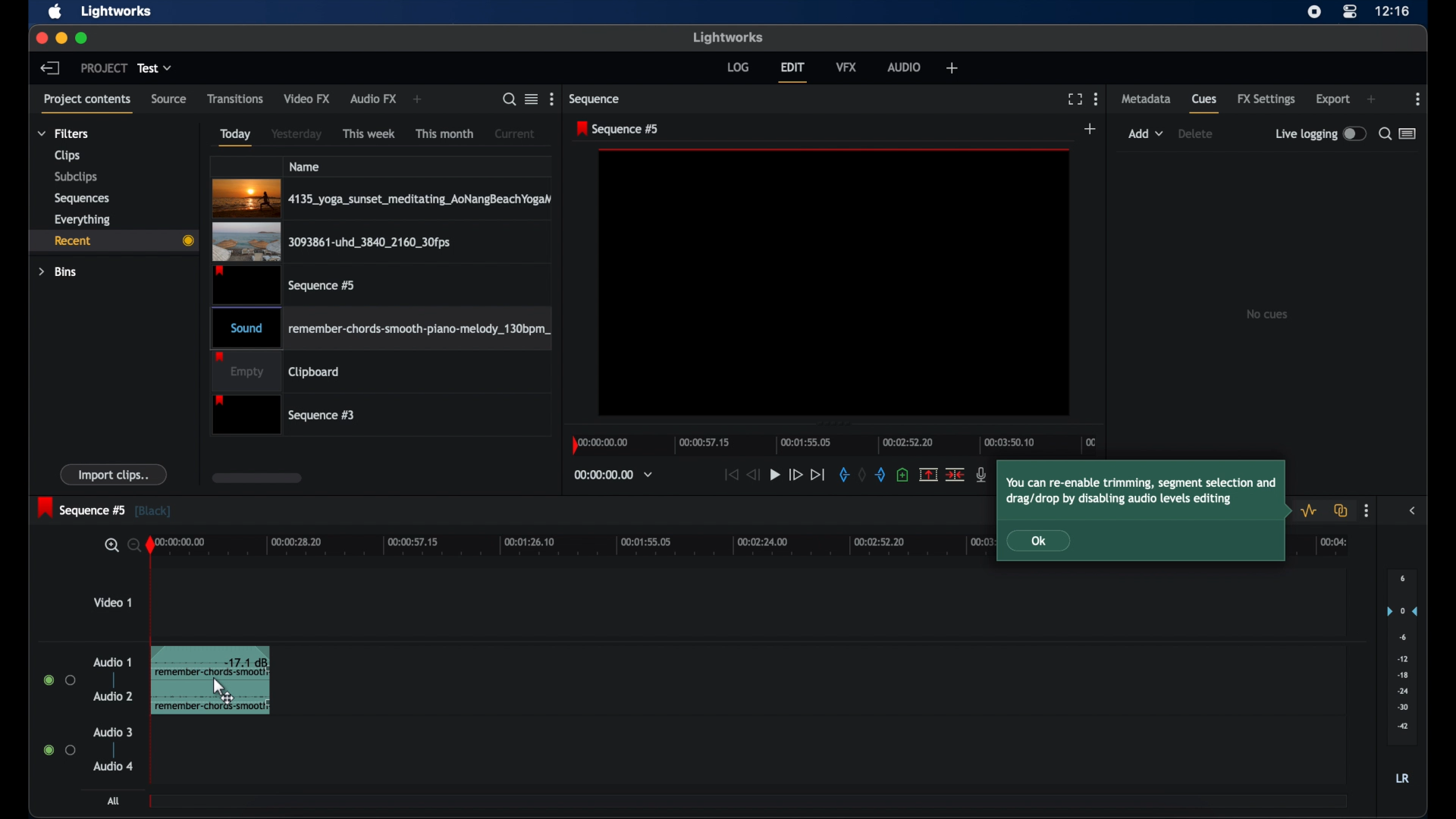 The width and height of the screenshot is (1456, 819). I want to click on project, so click(104, 67).